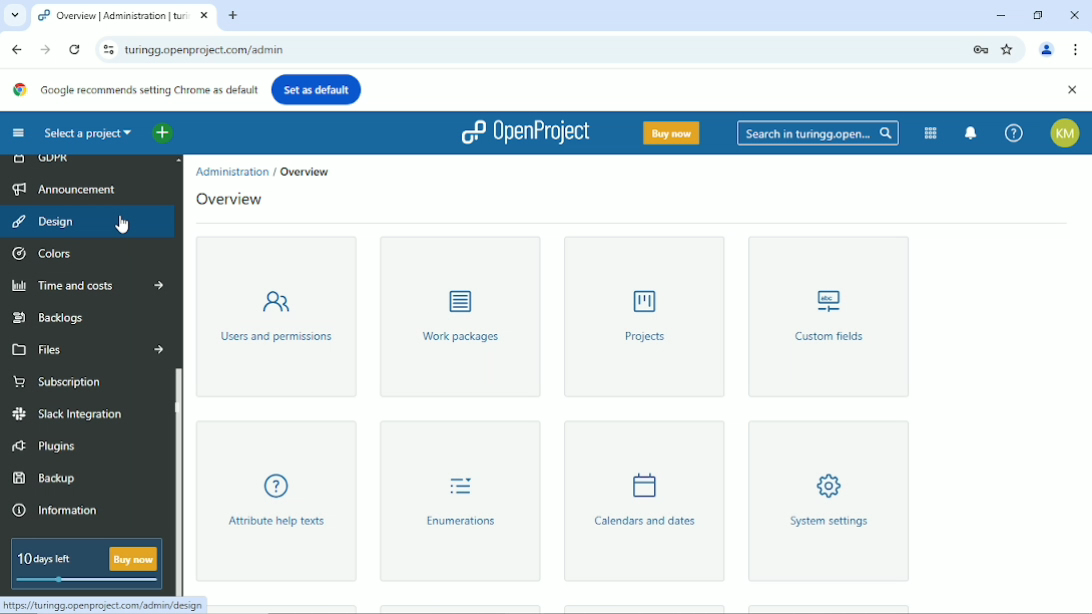 Image resolution: width=1092 pixels, height=614 pixels. Describe the element at coordinates (135, 89) in the screenshot. I see `Google recommends setting Chrome as default` at that location.